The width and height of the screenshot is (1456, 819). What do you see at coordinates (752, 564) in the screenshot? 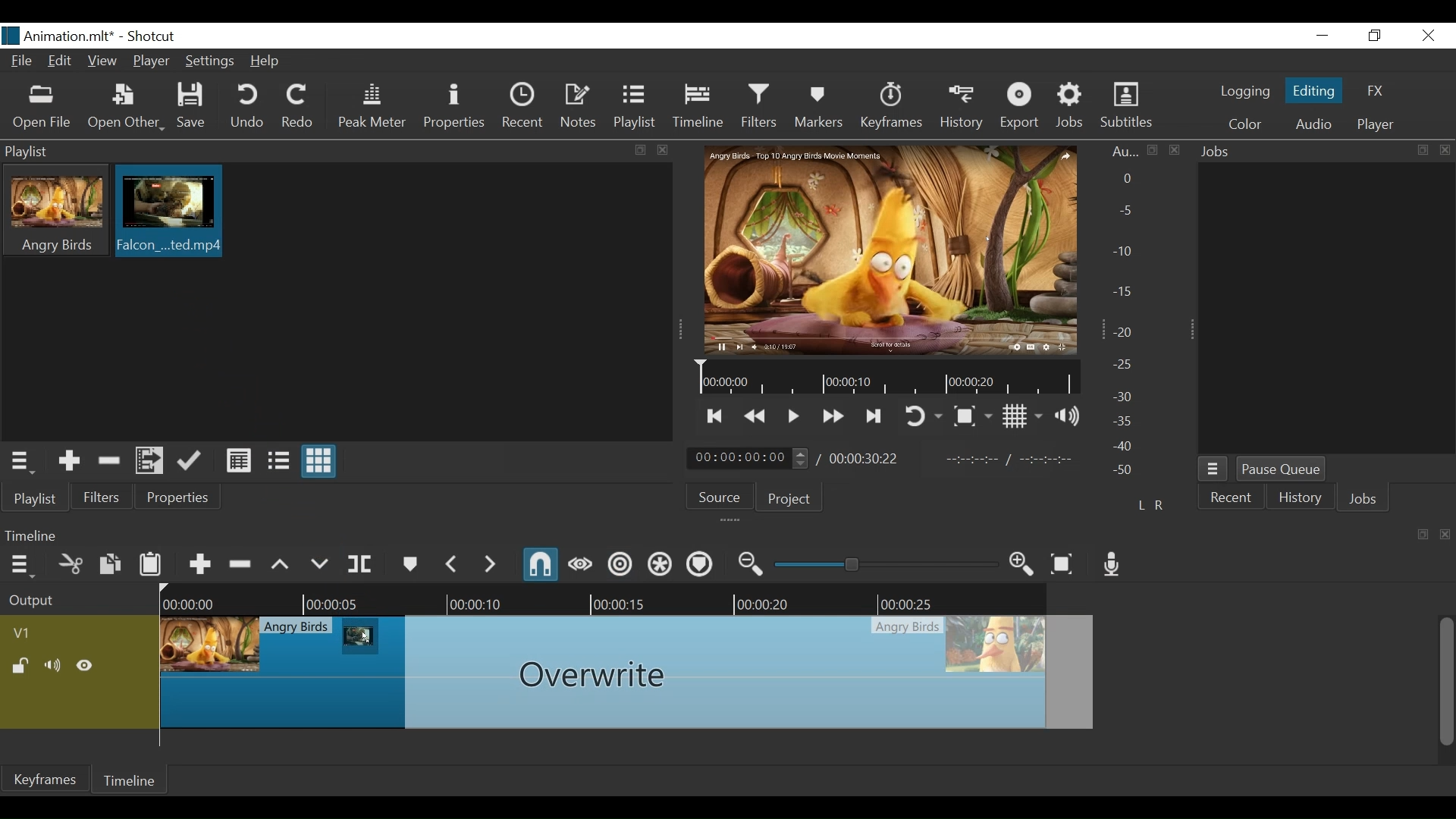
I see `Zoom timeline out` at bounding box center [752, 564].